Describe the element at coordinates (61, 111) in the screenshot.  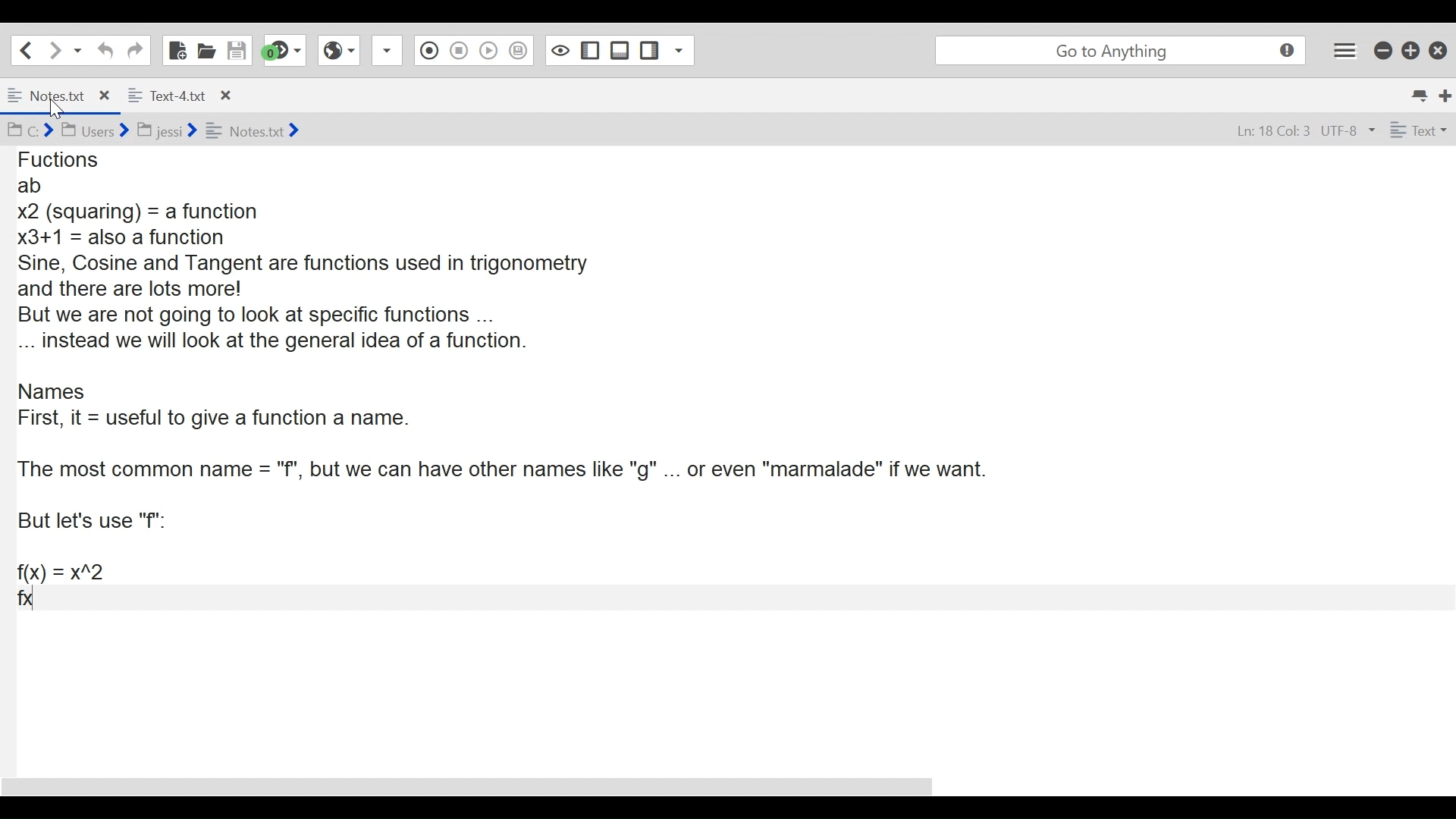
I see `Cursor` at that location.